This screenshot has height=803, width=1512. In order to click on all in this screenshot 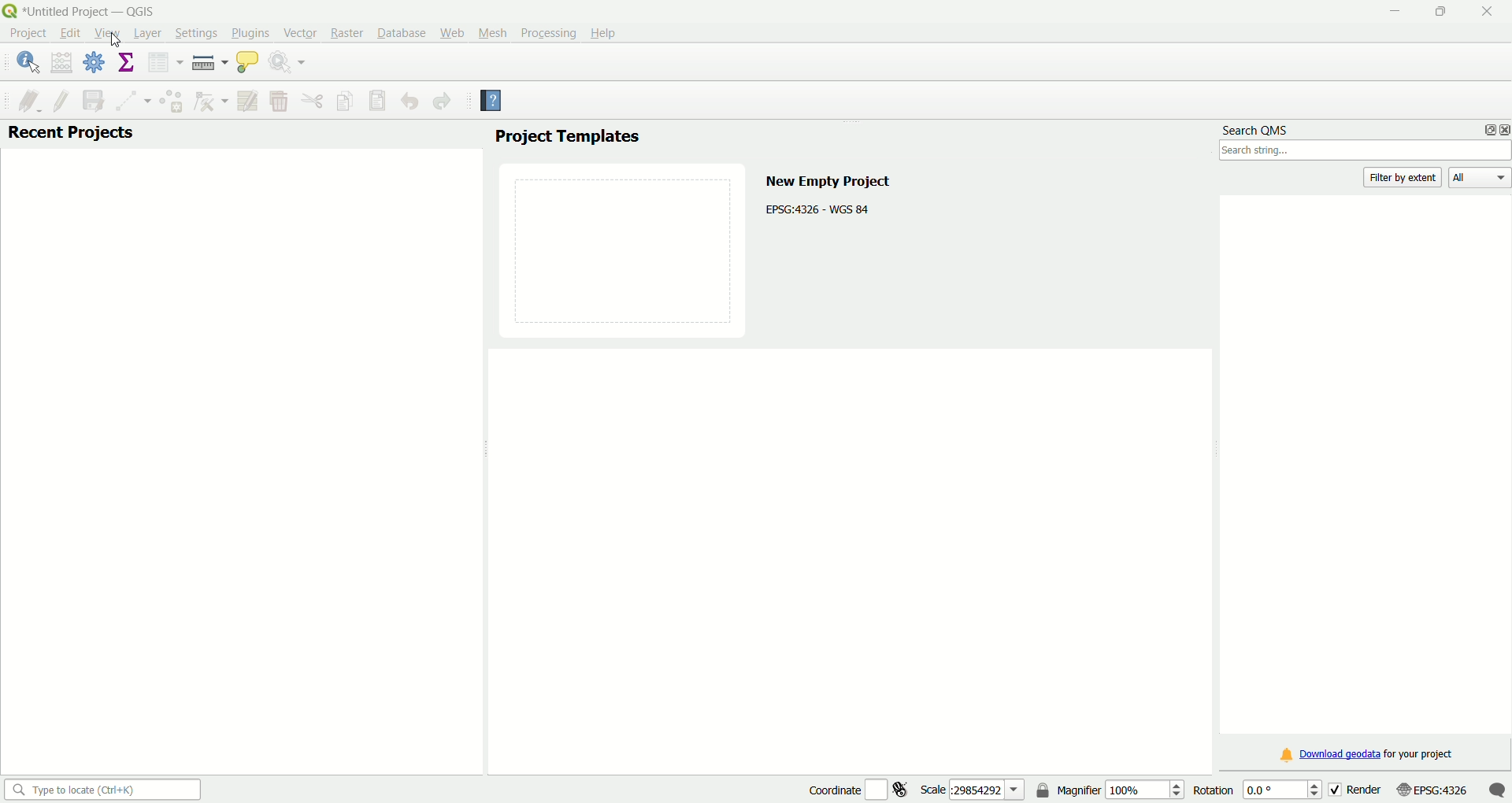, I will do `click(1480, 179)`.